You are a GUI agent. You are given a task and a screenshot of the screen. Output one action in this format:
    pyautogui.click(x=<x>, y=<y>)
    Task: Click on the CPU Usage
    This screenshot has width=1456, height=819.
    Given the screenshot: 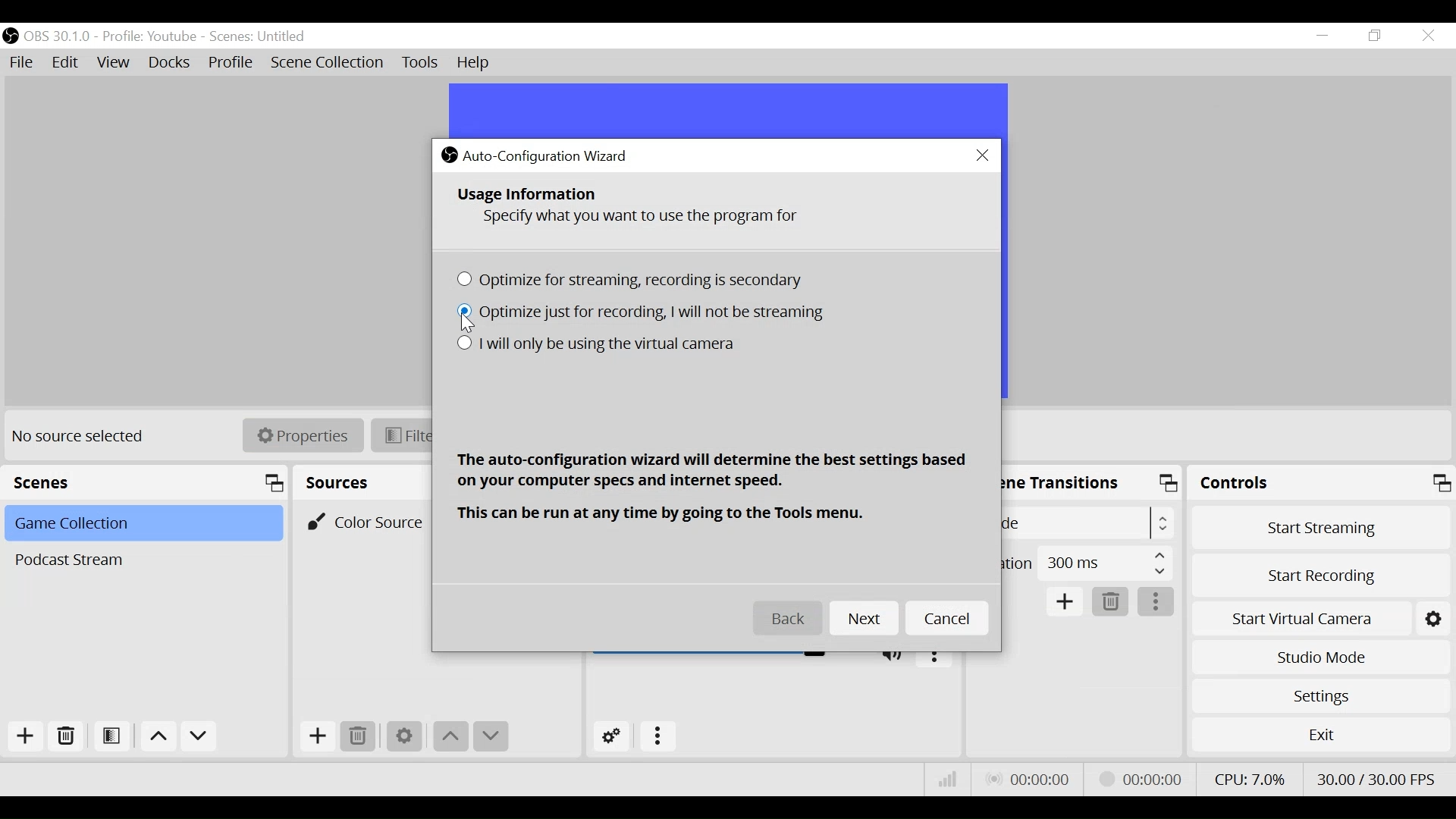 What is the action you would take?
    pyautogui.click(x=1249, y=779)
    